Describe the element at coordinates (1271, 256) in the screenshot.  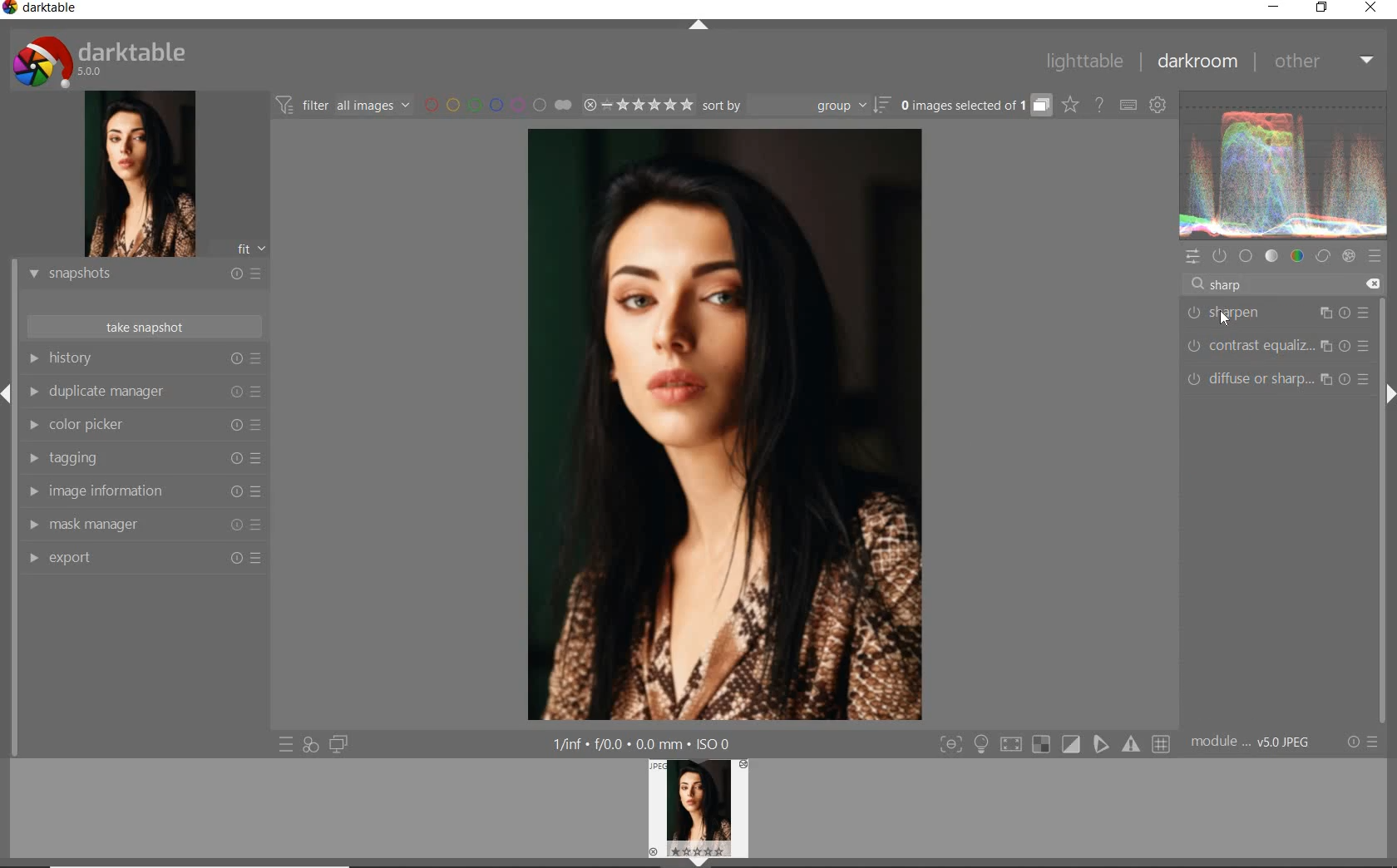
I see `tone` at that location.